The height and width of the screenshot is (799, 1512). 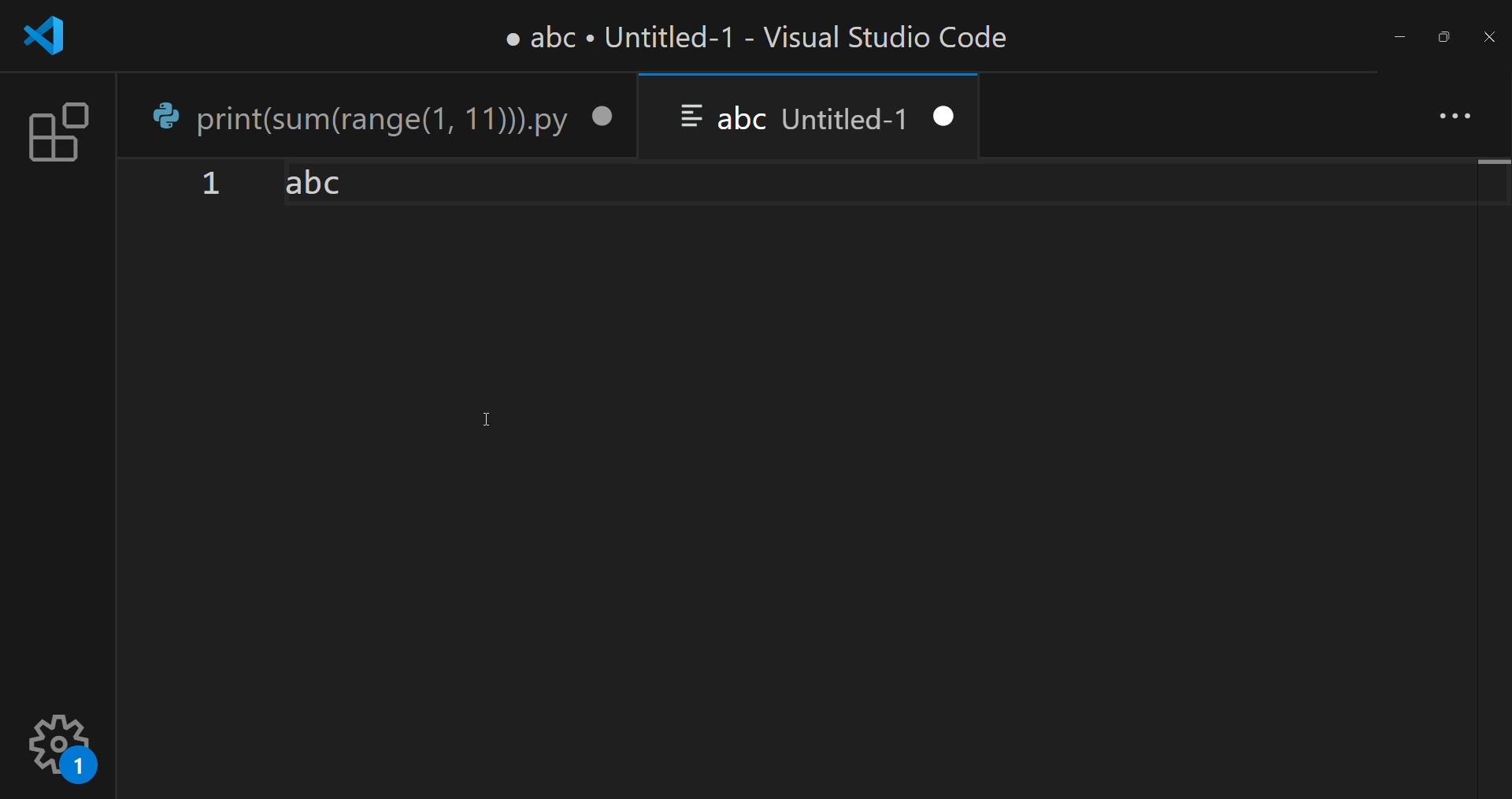 What do you see at coordinates (767, 39) in the screenshot?
I see `print(sum(range(1, 11))).py - Visual Studio Code` at bounding box center [767, 39].